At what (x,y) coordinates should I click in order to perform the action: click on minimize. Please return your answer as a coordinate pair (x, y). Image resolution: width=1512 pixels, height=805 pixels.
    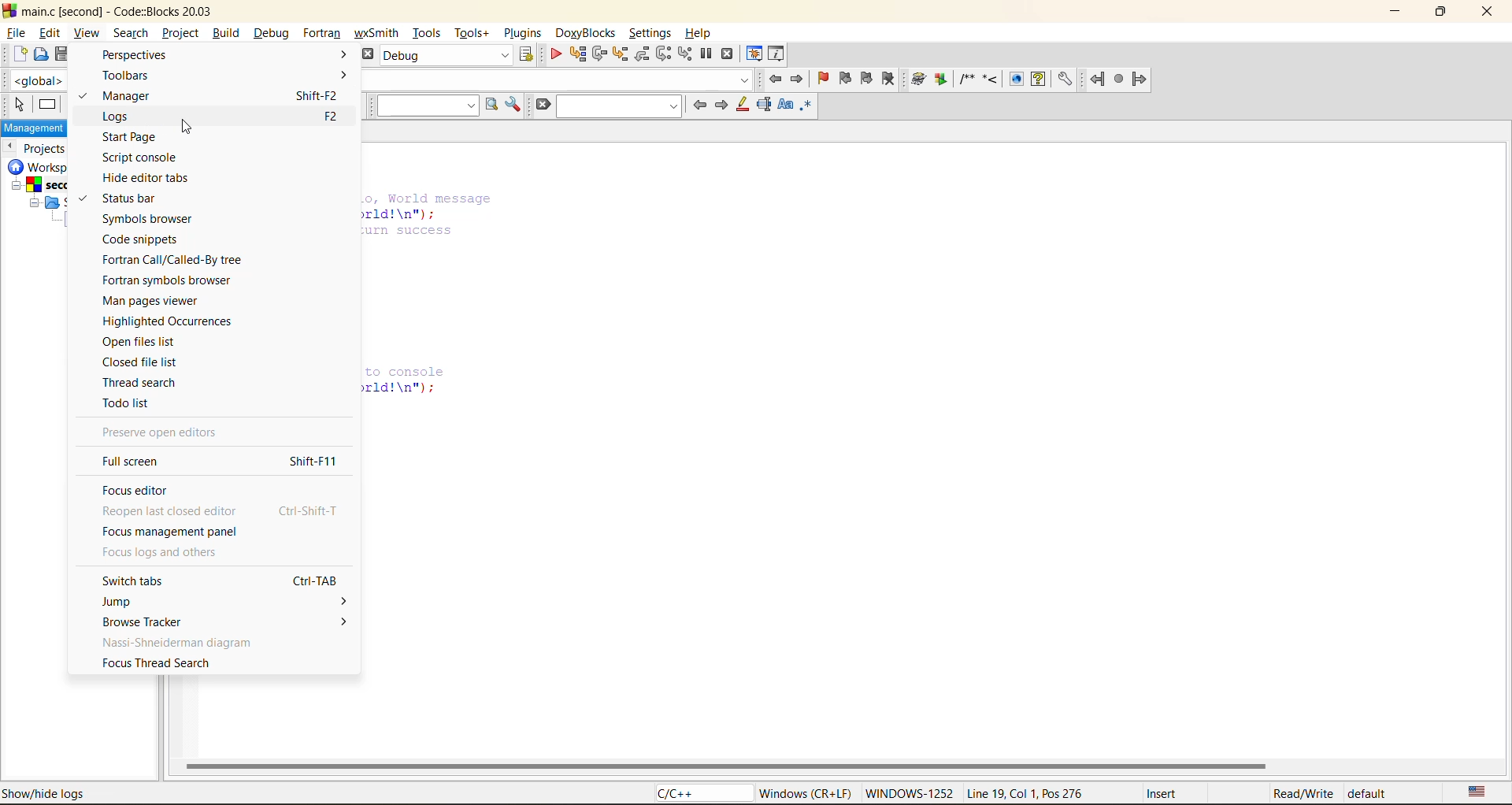
    Looking at the image, I should click on (1395, 11).